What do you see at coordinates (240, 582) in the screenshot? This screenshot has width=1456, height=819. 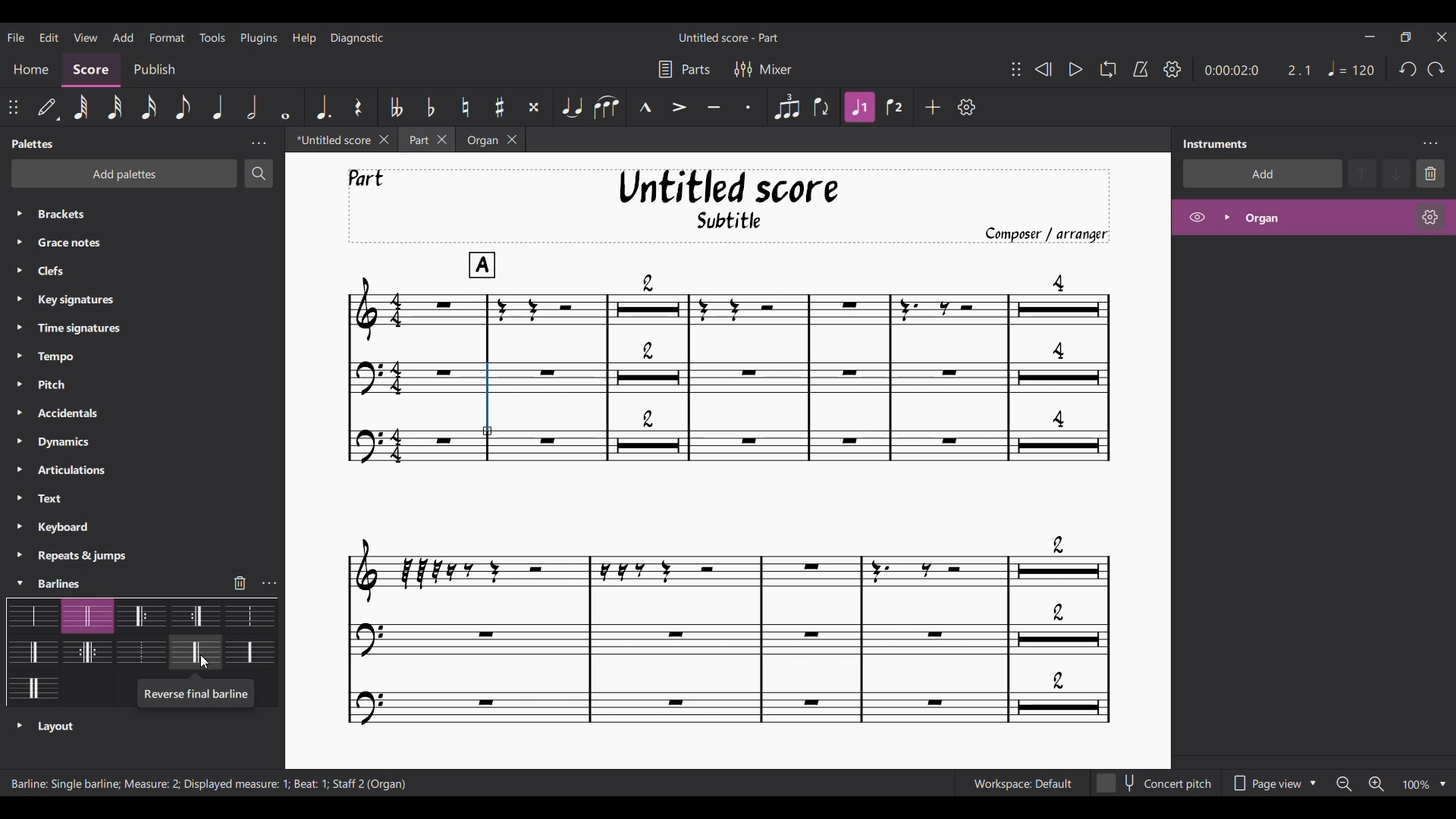 I see `Delete inputs` at bounding box center [240, 582].